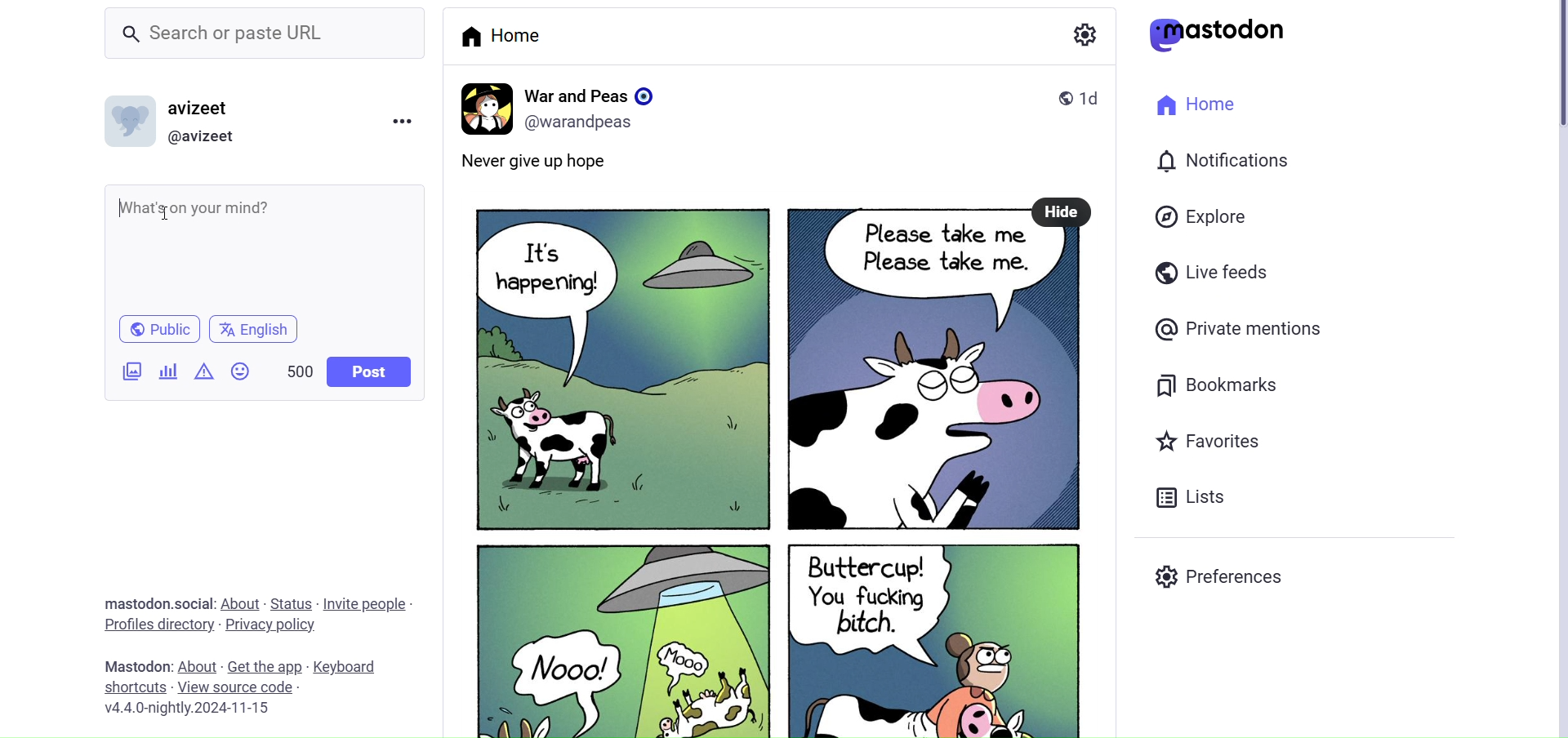 This screenshot has width=1568, height=738. Describe the element at coordinates (197, 657) in the screenshot. I see `About` at that location.